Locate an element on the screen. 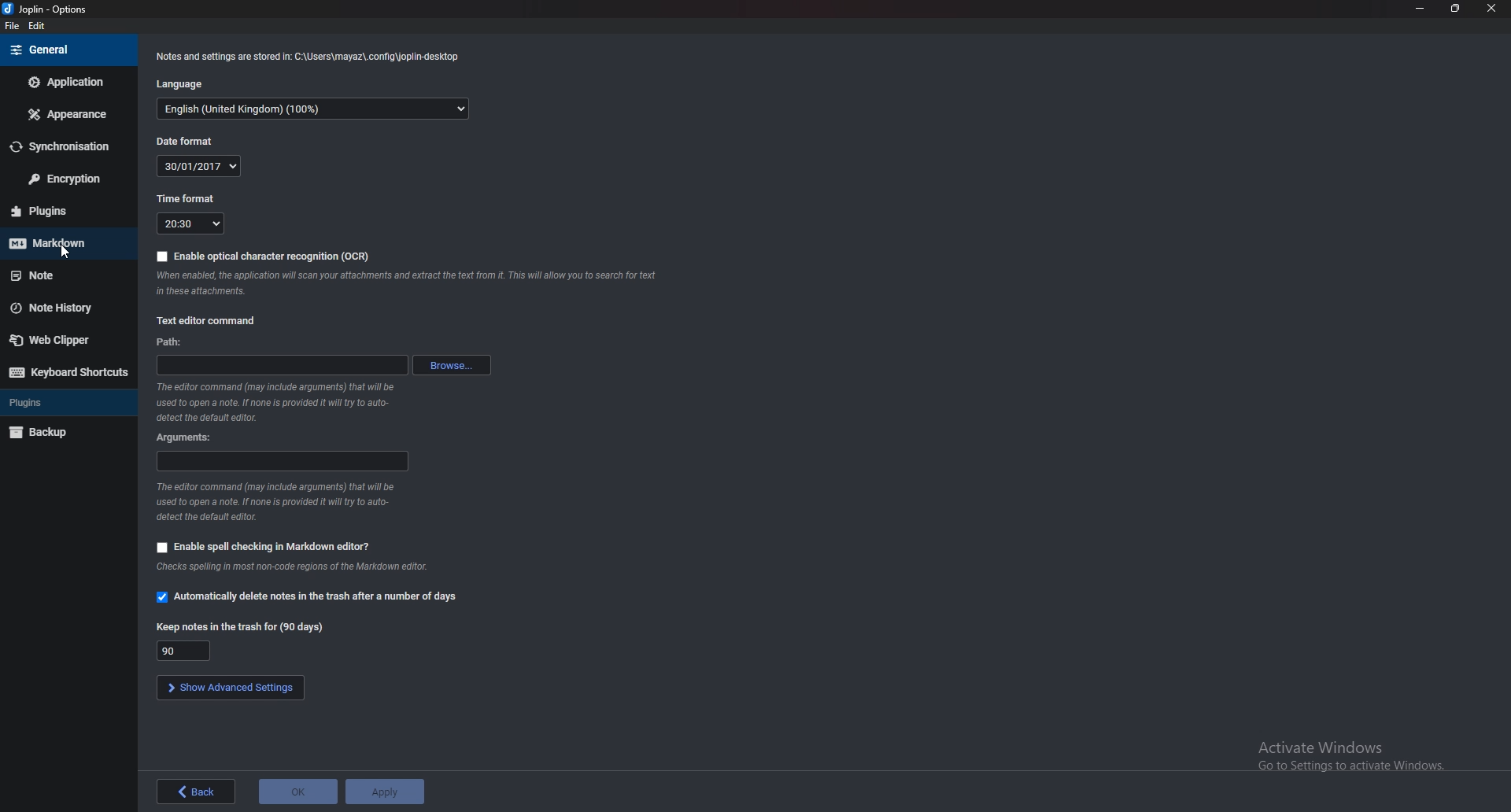  minimize is located at coordinates (1420, 9).